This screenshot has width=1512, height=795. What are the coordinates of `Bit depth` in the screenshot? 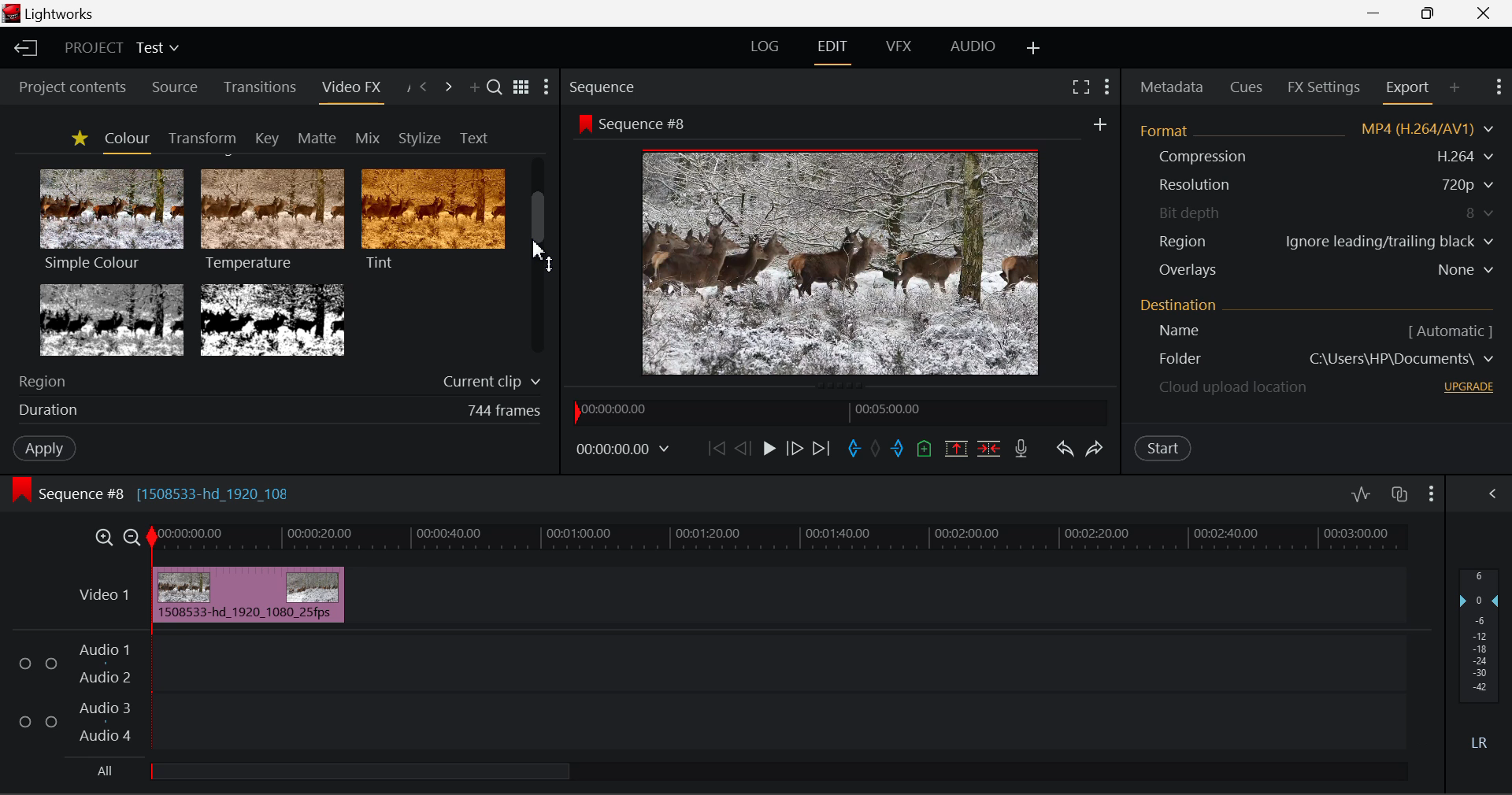 It's located at (1191, 210).